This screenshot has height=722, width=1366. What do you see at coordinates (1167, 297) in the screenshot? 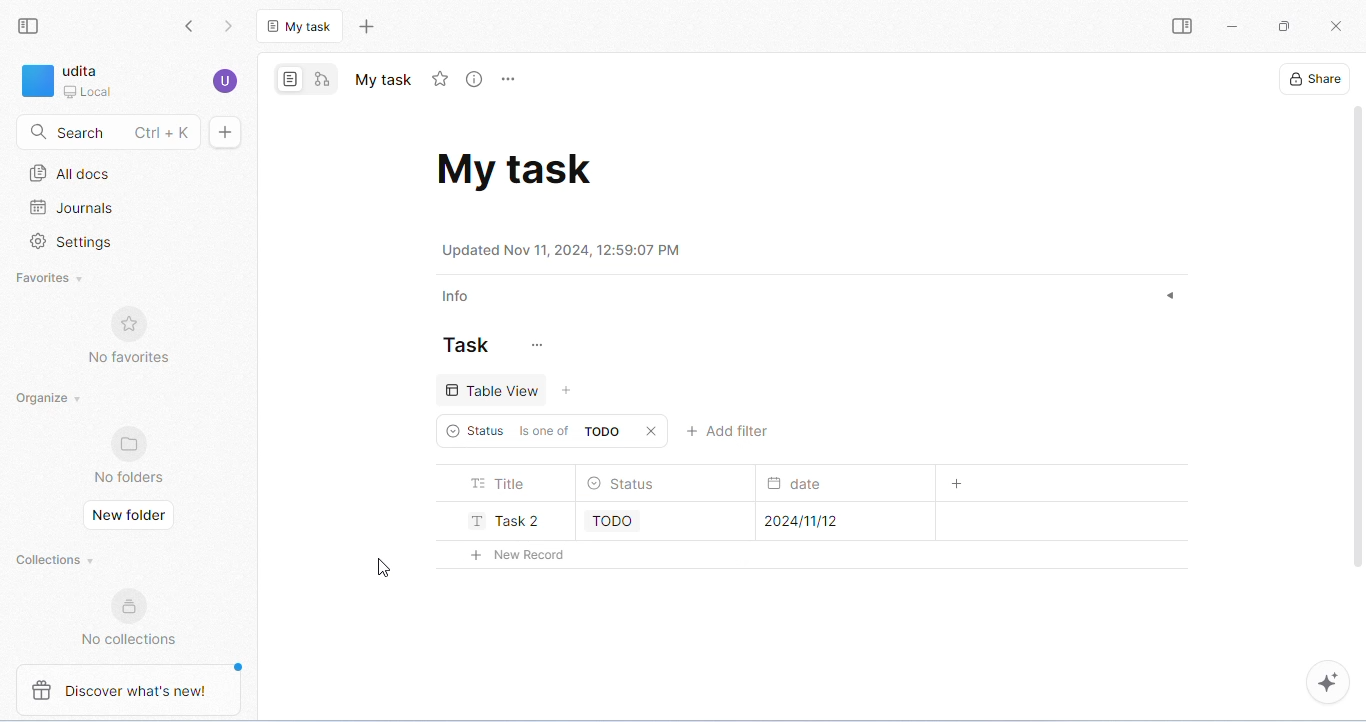
I see `expand` at bounding box center [1167, 297].